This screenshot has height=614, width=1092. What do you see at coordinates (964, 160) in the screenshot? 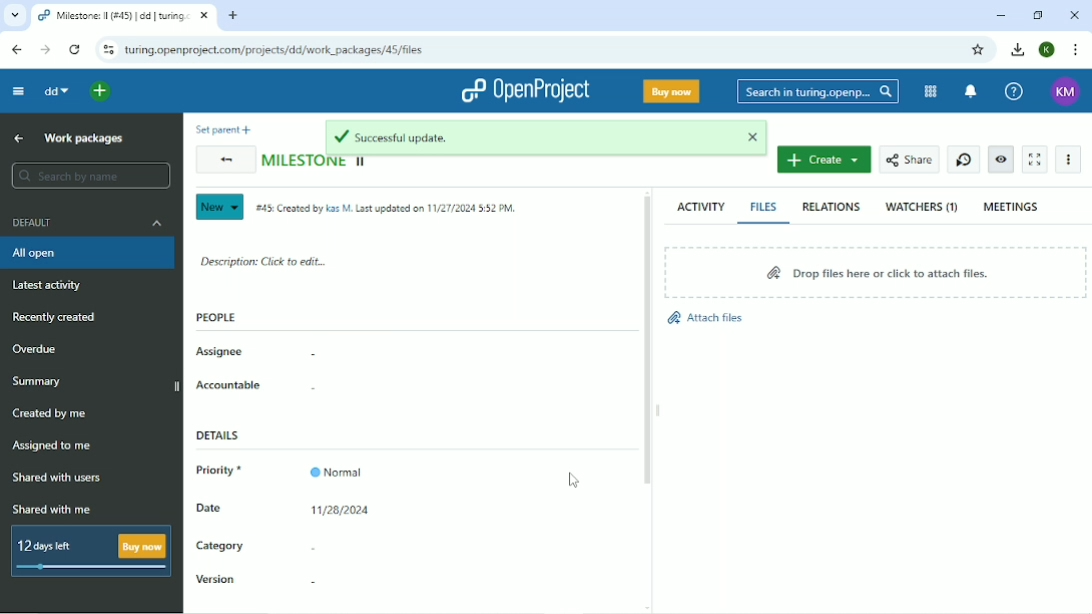
I see `Start new timer` at bounding box center [964, 160].